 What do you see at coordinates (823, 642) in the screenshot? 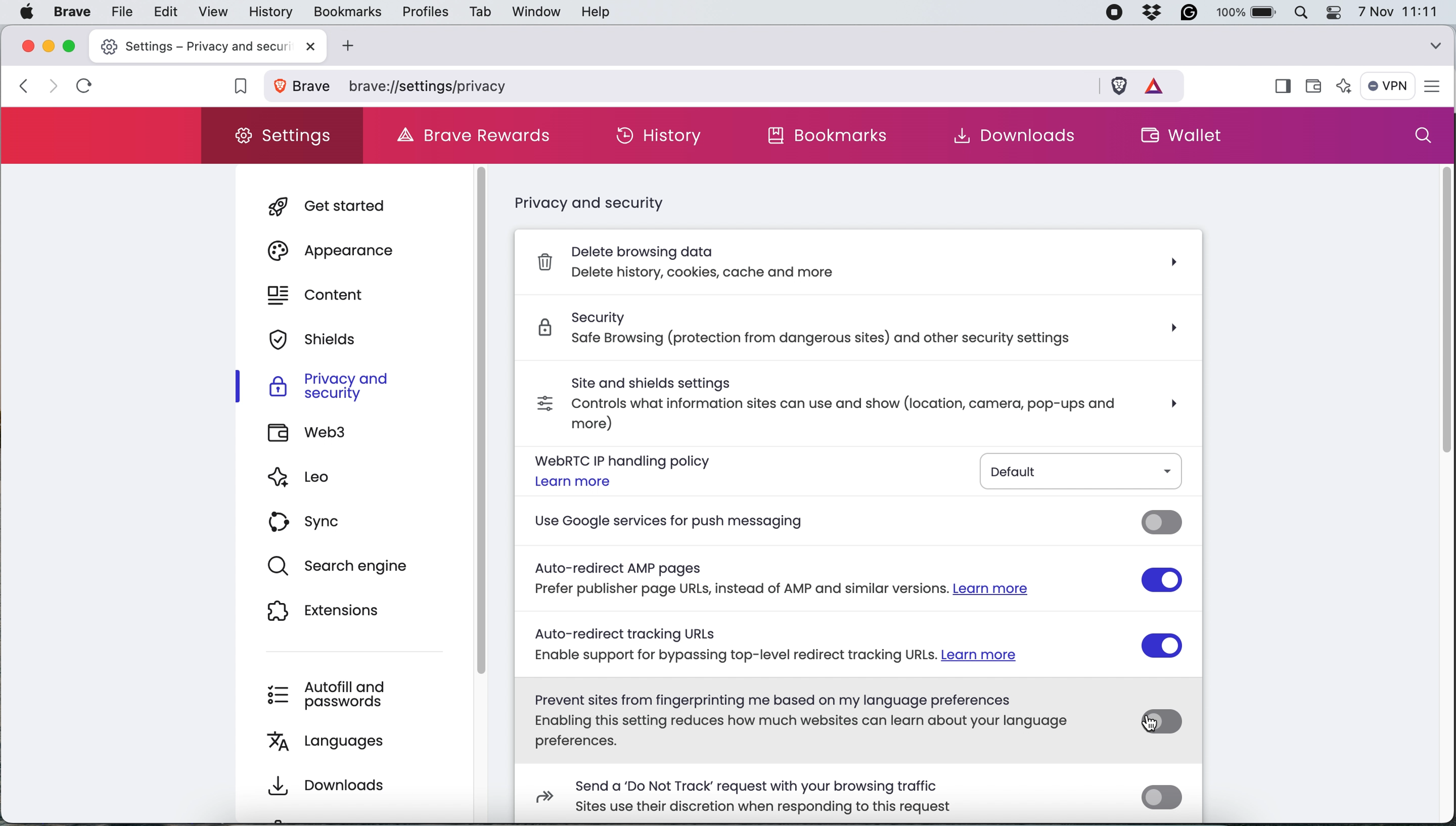
I see `auto redirect tracking urls enable support for bypassing top-level redirect tracking urls.` at bounding box center [823, 642].